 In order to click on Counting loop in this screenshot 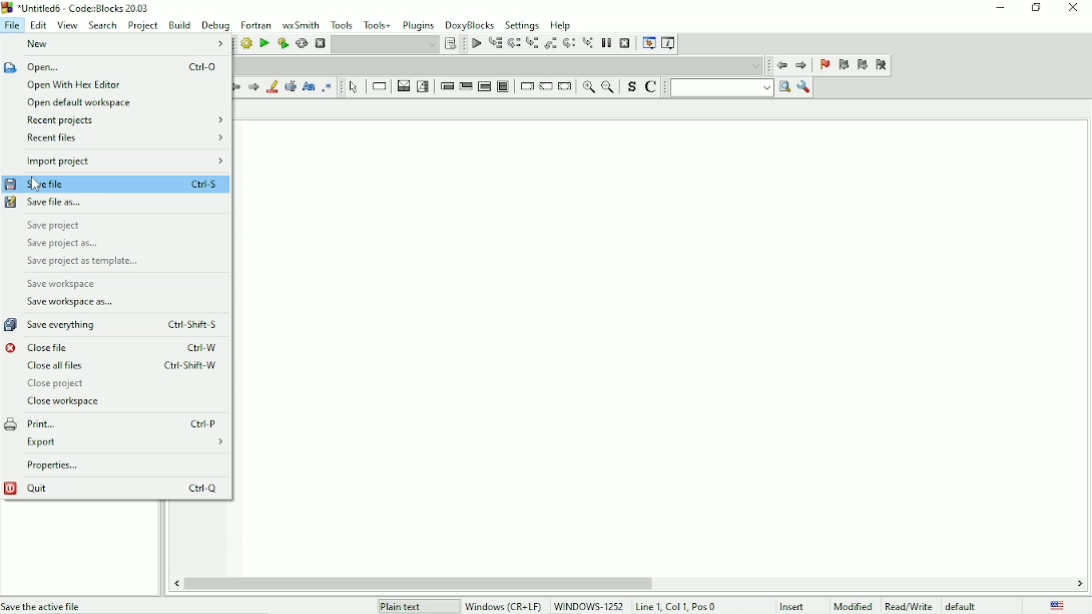, I will do `click(484, 86)`.